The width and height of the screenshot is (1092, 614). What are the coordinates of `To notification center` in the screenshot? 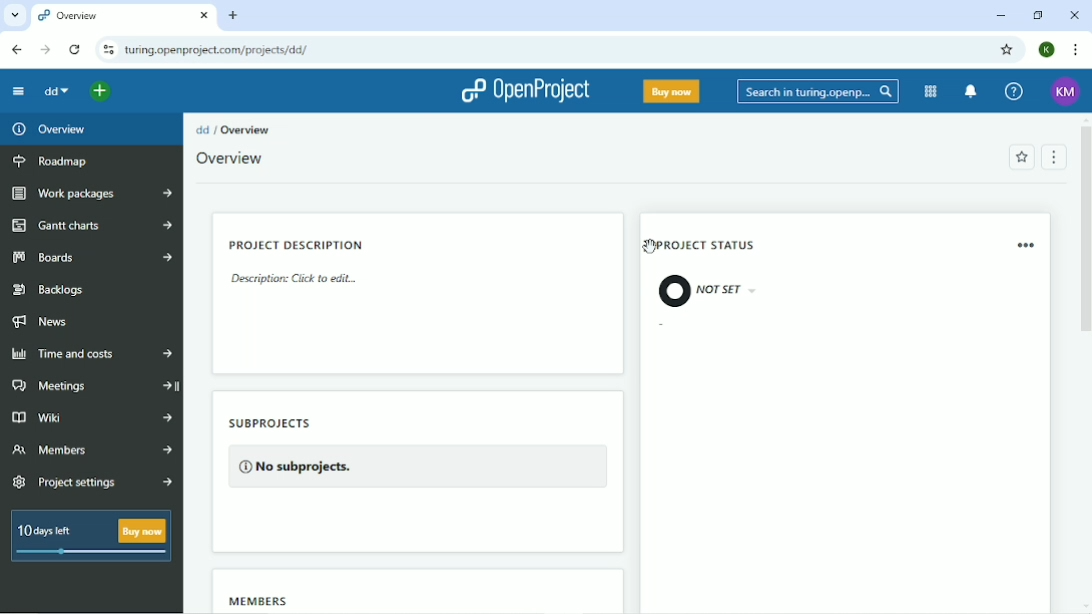 It's located at (970, 91).